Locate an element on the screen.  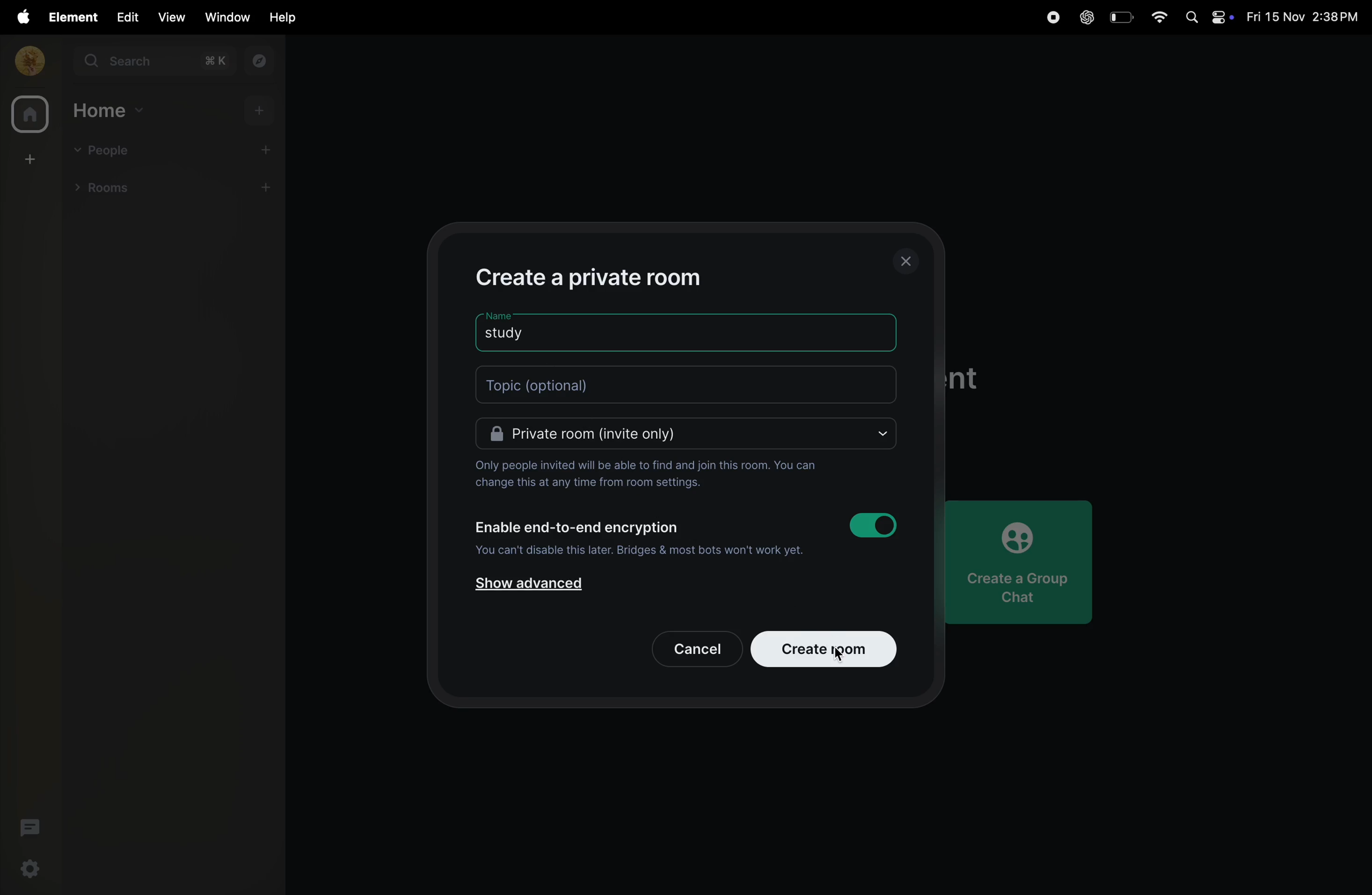
window is located at coordinates (228, 17).